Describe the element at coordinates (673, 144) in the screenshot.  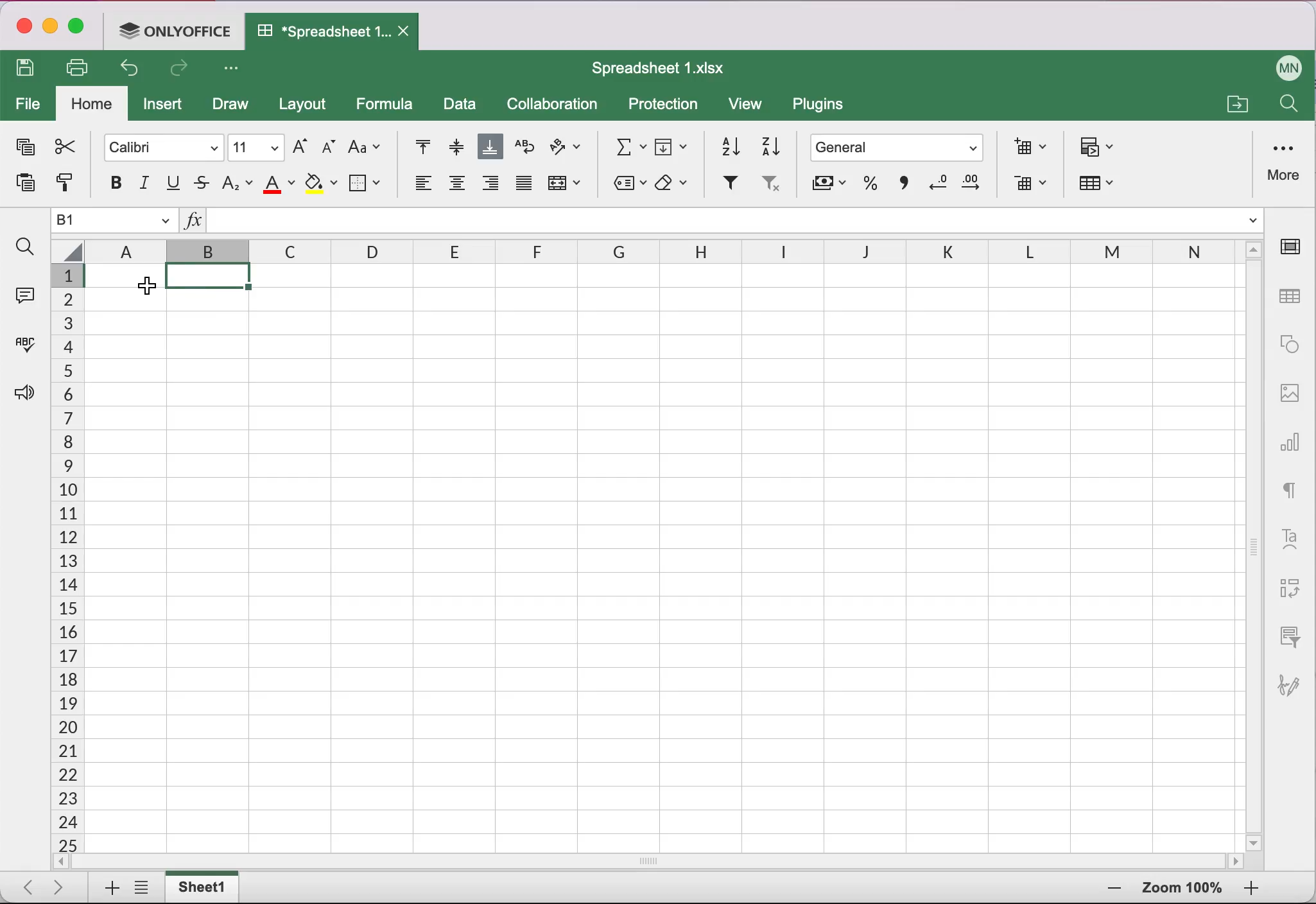
I see `fill` at that location.